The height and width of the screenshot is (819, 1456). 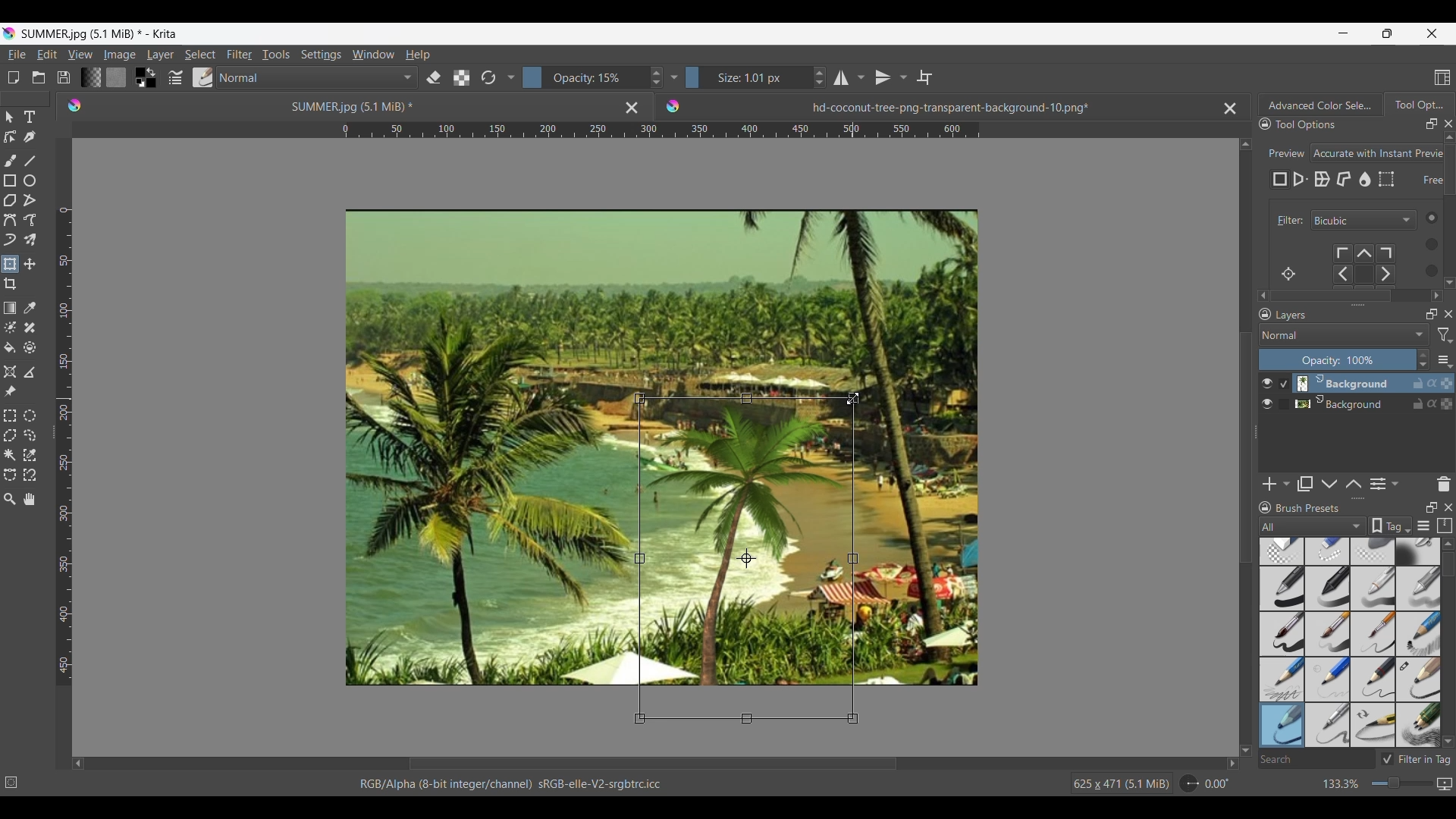 What do you see at coordinates (1345, 180) in the screenshot?
I see `Cage` at bounding box center [1345, 180].